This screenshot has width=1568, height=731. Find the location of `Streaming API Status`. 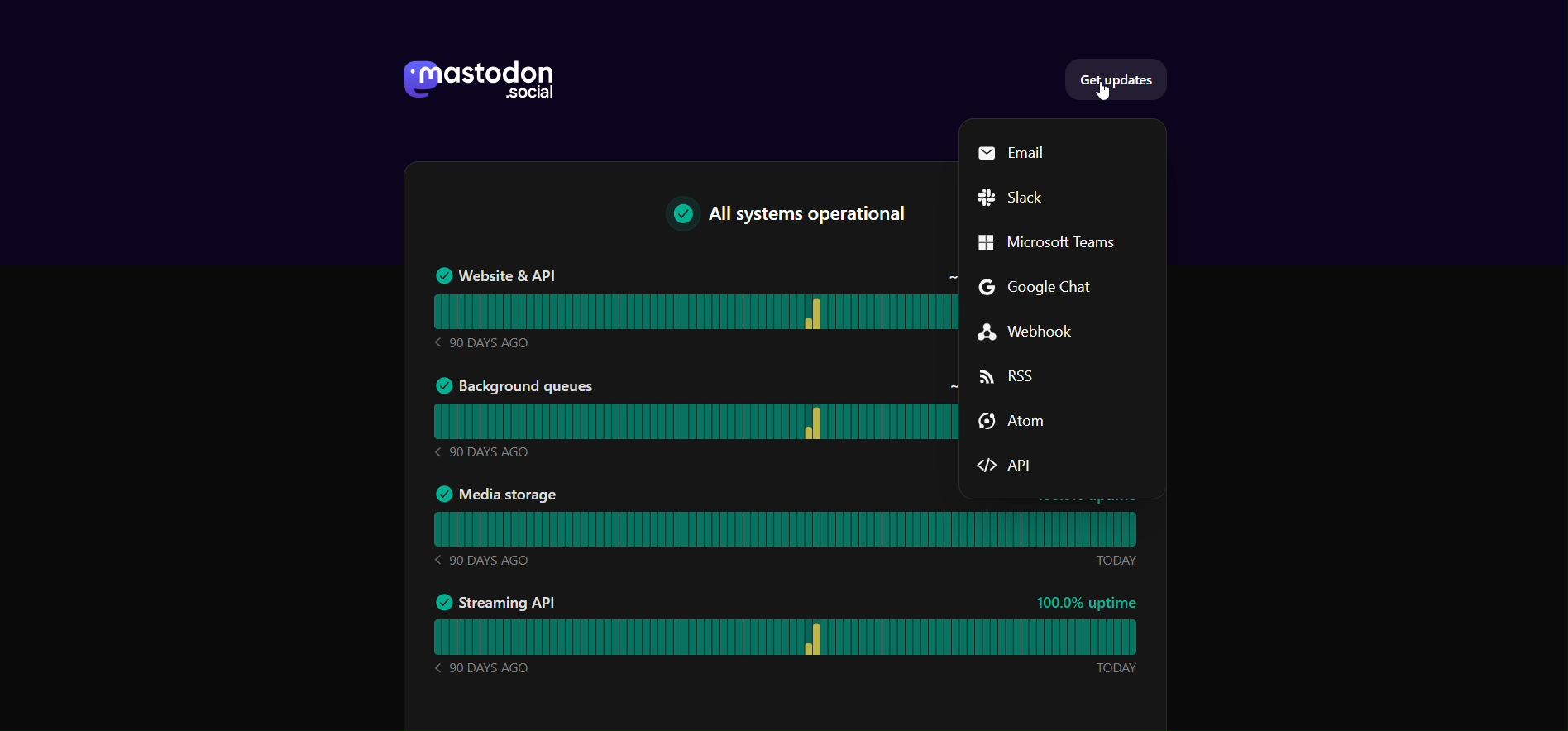

Streaming API Status is located at coordinates (787, 638).